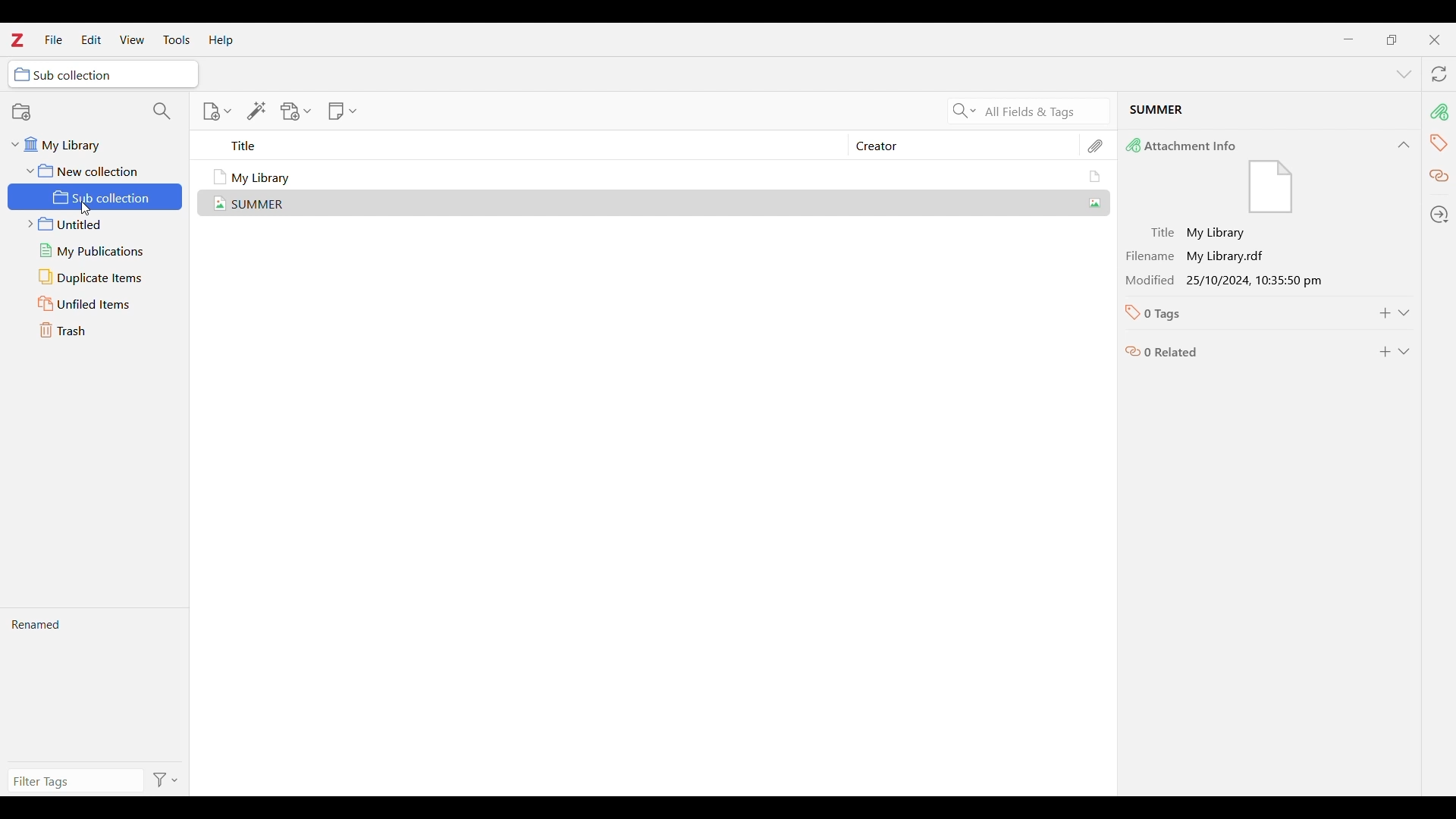 The height and width of the screenshot is (819, 1456). Describe the element at coordinates (217, 111) in the screenshot. I see `New item` at that location.